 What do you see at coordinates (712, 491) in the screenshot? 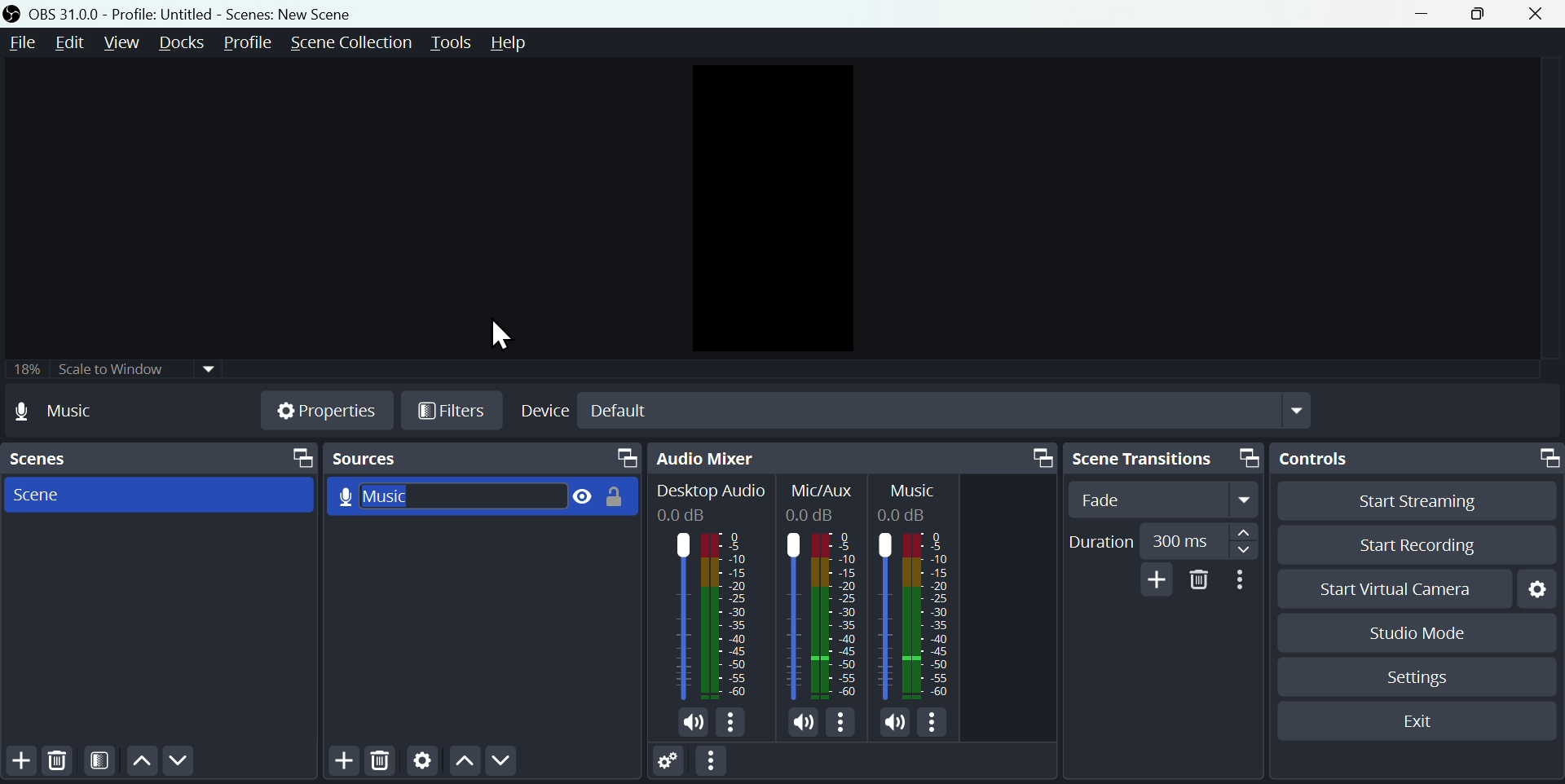
I see `` at bounding box center [712, 491].